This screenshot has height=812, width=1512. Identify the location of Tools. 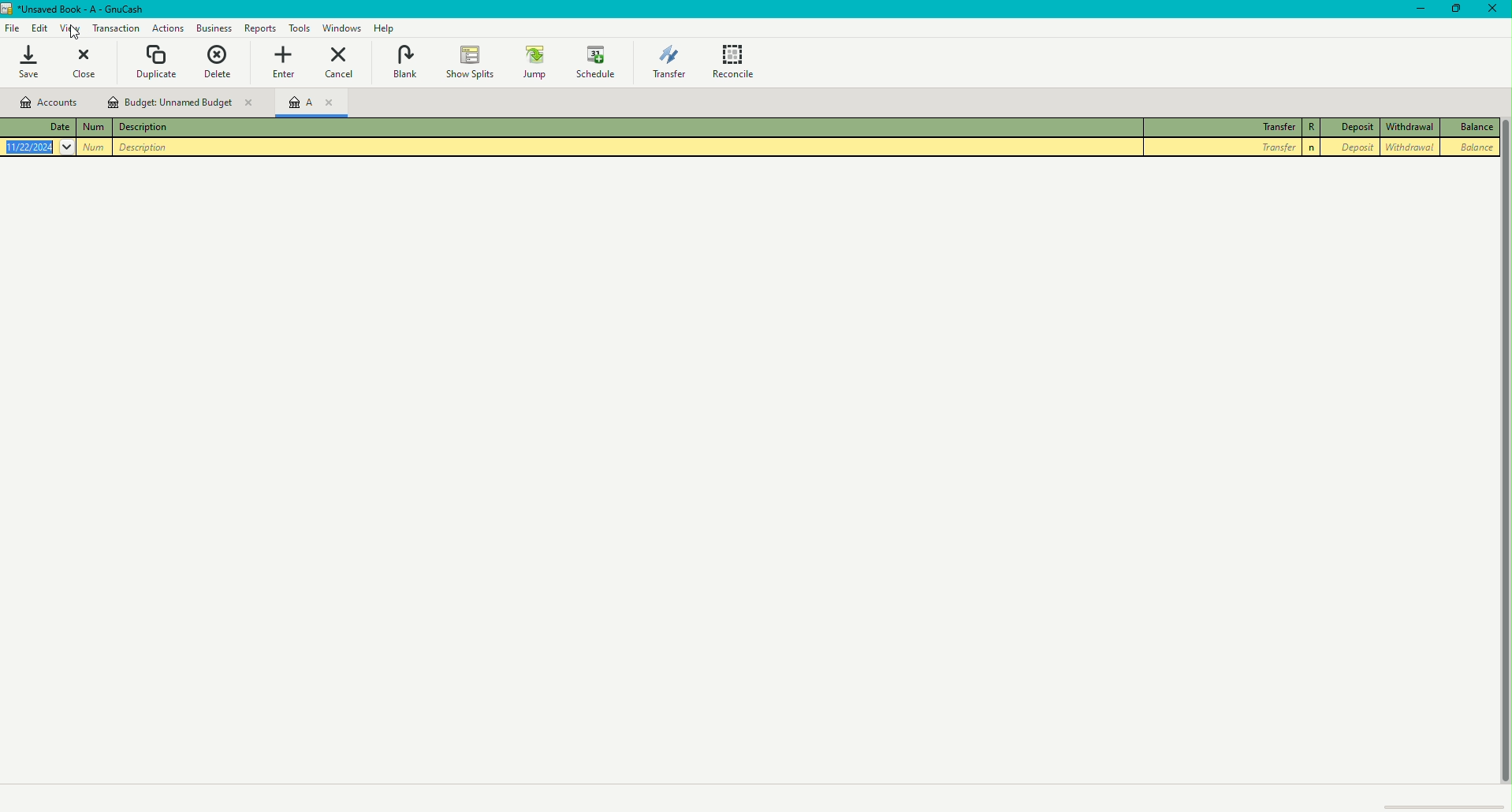
(260, 28).